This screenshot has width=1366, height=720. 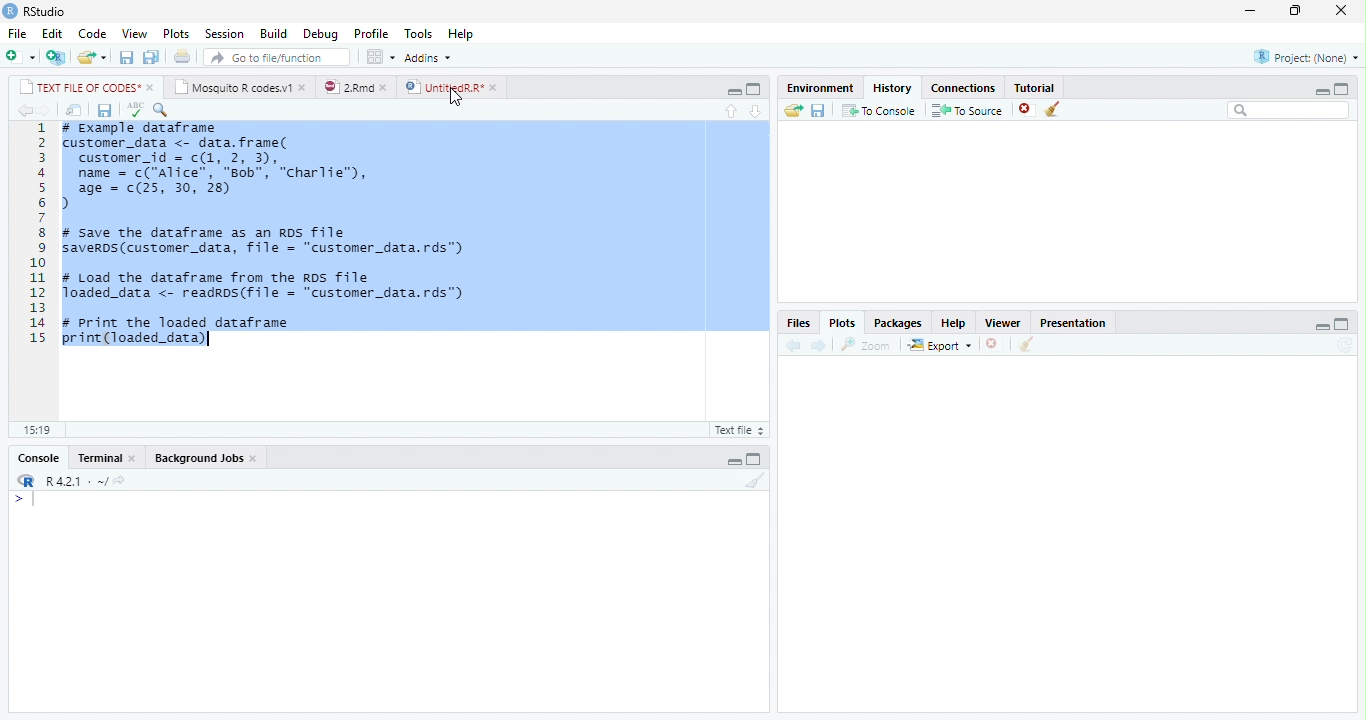 I want to click on #Example dataframe customer_data <- data.frame(customer_id = c(1, 2, 3),name = c("Alice”, "Bob", "charlie"),age - (25, 30, 28)), so click(x=223, y=167).